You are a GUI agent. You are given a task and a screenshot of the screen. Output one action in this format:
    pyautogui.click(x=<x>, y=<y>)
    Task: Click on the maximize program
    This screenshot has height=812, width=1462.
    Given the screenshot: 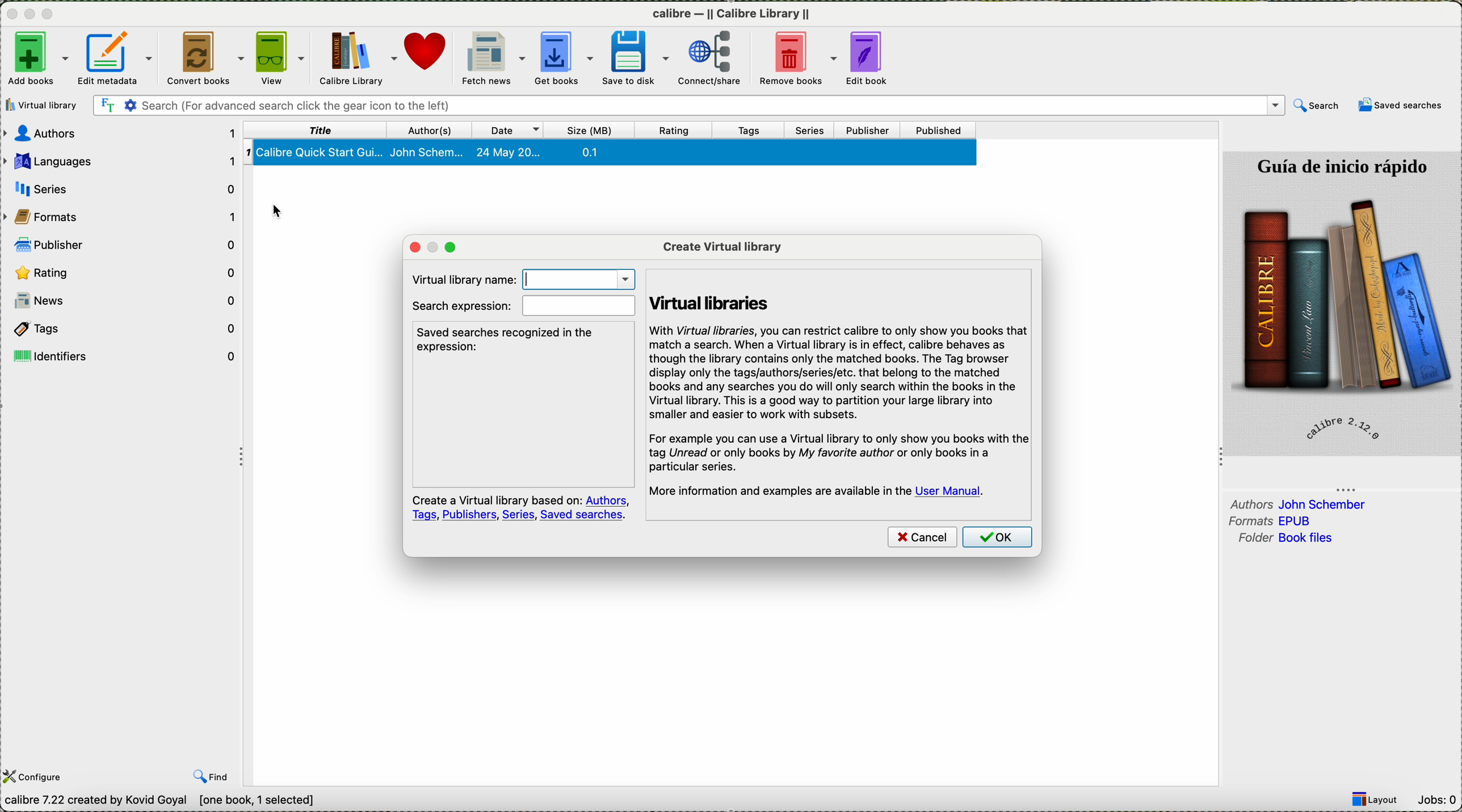 What is the action you would take?
    pyautogui.click(x=50, y=14)
    